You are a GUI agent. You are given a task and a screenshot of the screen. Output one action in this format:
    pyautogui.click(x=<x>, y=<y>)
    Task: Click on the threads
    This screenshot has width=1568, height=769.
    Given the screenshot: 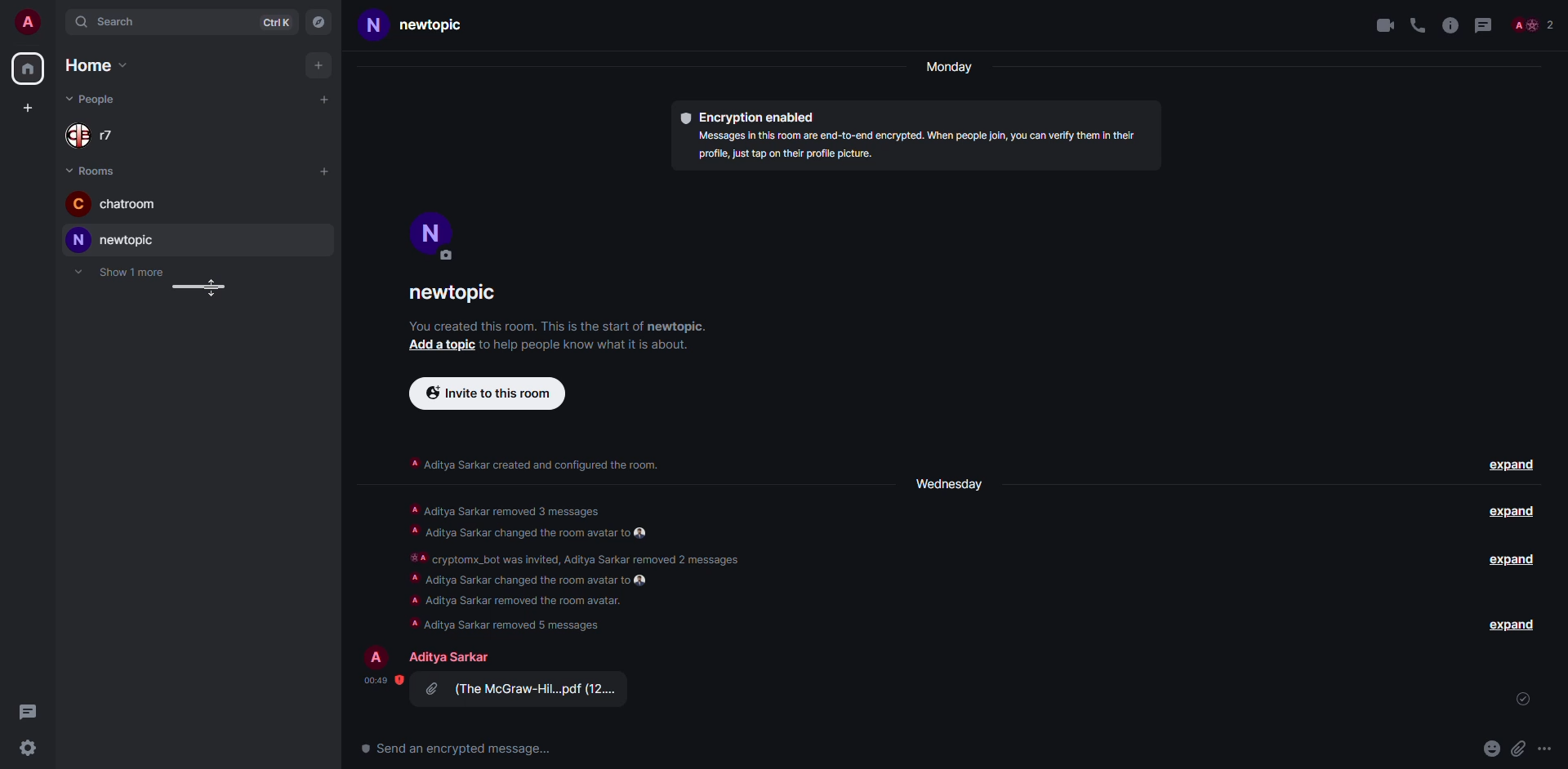 What is the action you would take?
    pyautogui.click(x=25, y=709)
    